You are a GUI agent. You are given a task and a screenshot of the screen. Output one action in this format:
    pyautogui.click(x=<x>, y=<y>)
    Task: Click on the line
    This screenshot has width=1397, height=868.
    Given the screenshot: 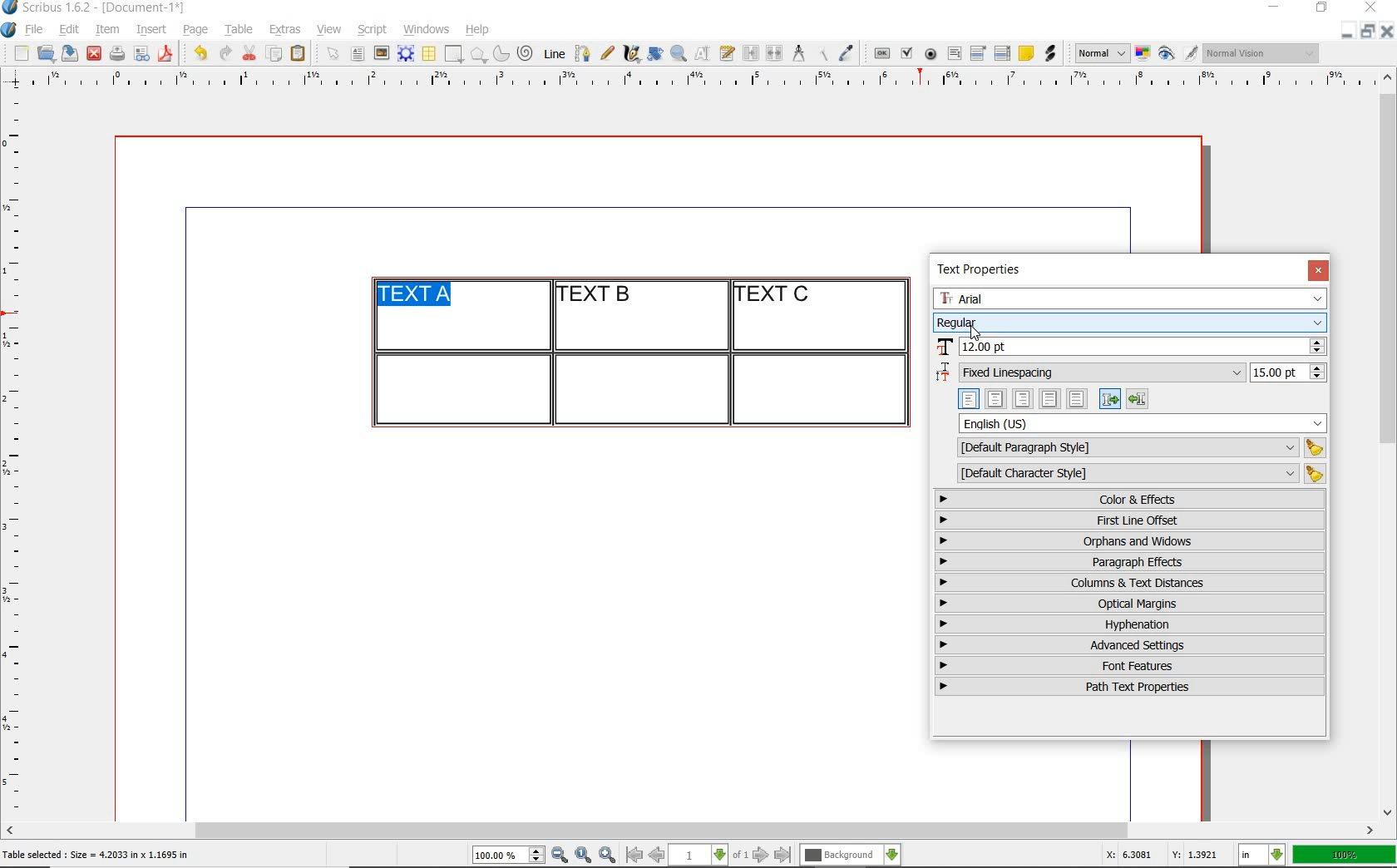 What is the action you would take?
    pyautogui.click(x=552, y=53)
    